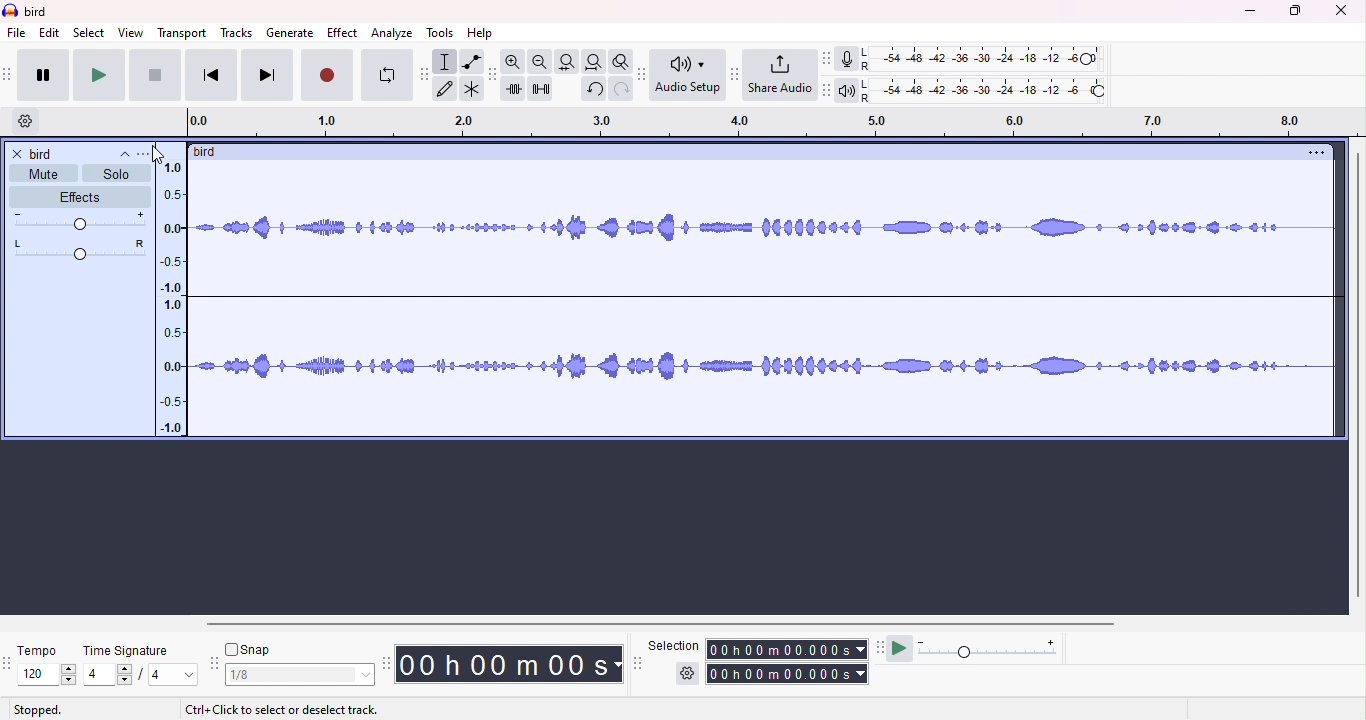 The width and height of the screenshot is (1366, 720). What do you see at coordinates (9, 74) in the screenshot?
I see `transport tool bar` at bounding box center [9, 74].